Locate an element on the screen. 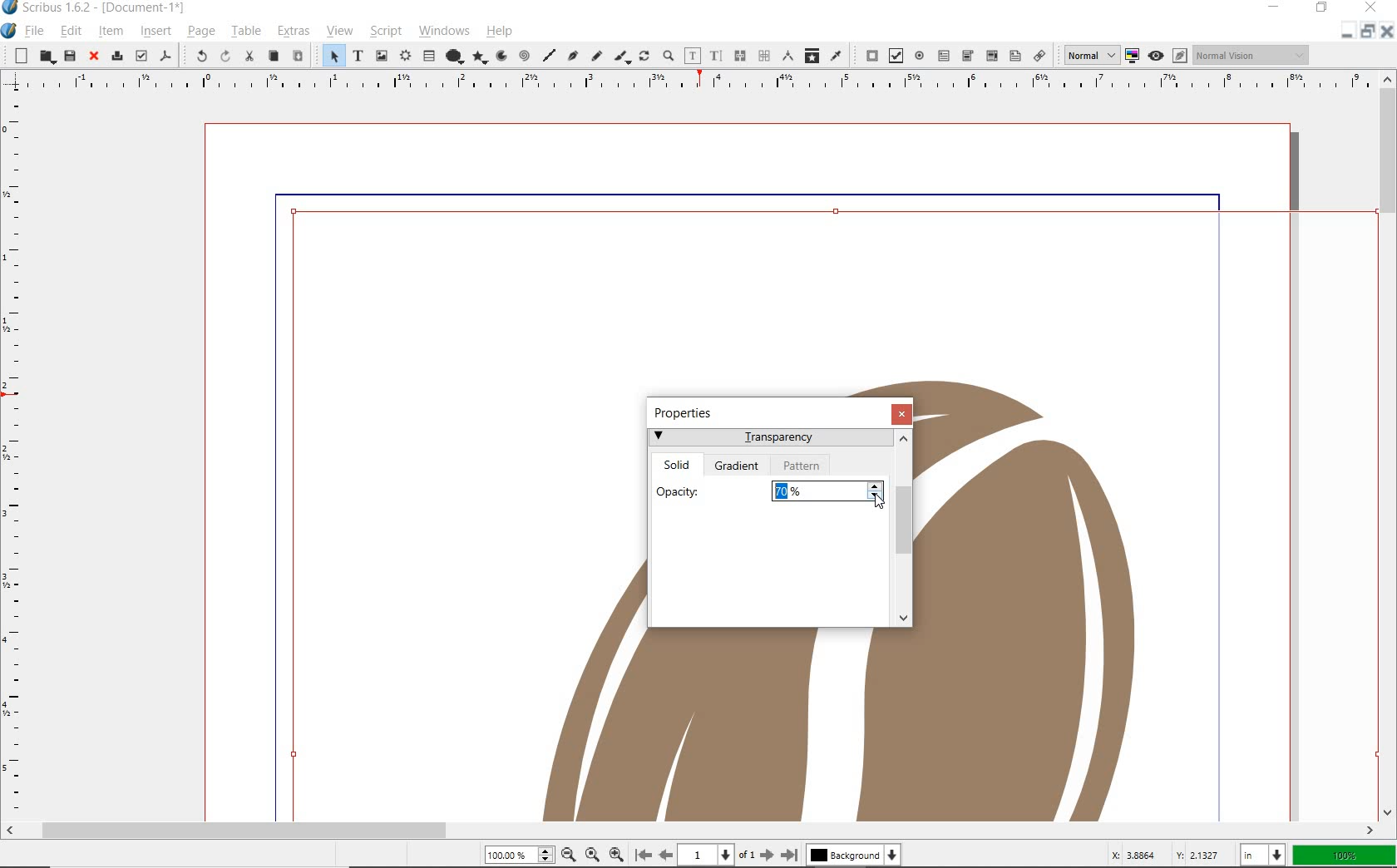 The height and width of the screenshot is (868, 1397). spiral is located at coordinates (526, 56).